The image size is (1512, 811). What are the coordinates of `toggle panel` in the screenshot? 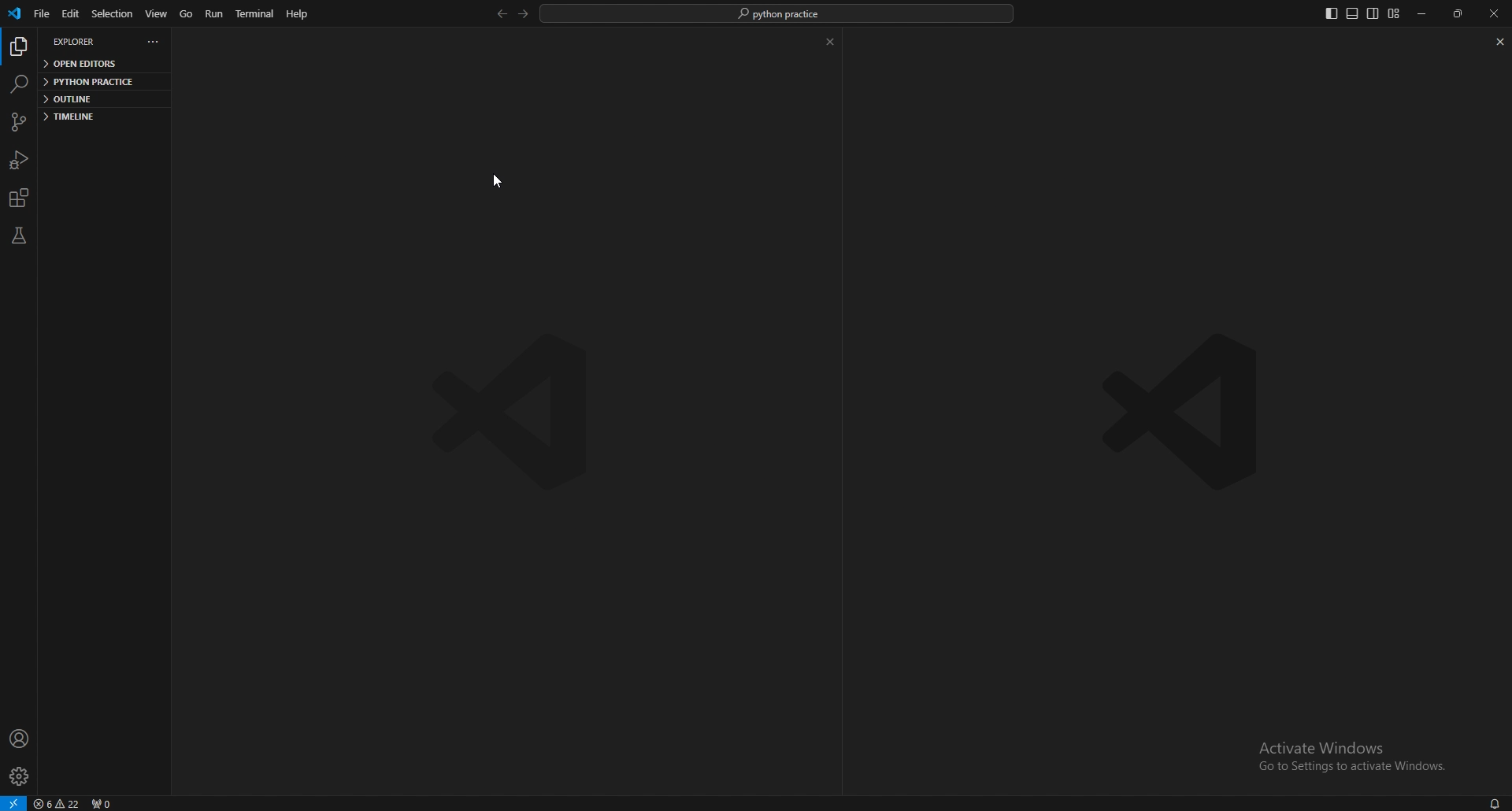 It's located at (1352, 14).